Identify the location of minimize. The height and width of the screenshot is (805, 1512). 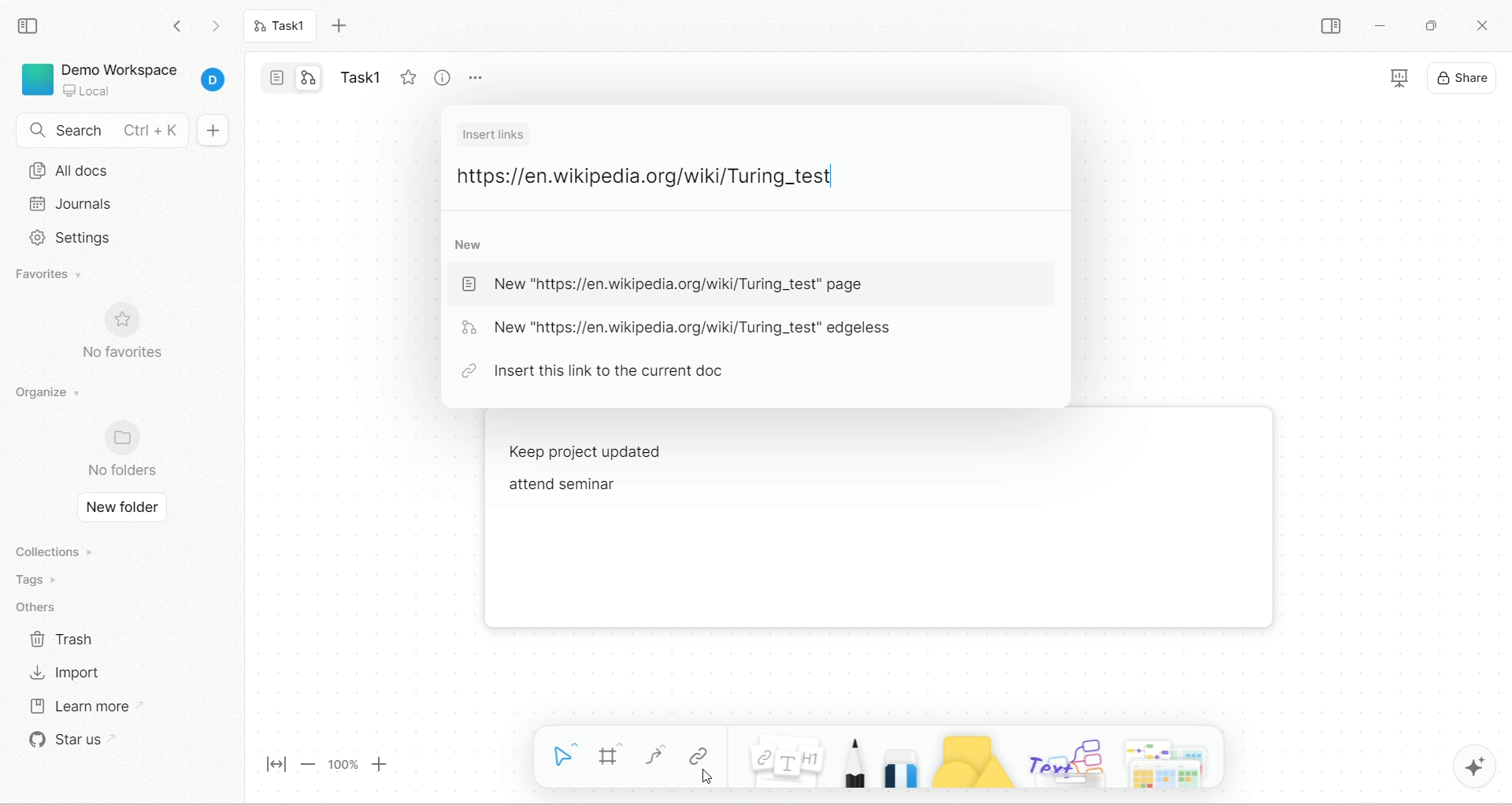
(1382, 28).